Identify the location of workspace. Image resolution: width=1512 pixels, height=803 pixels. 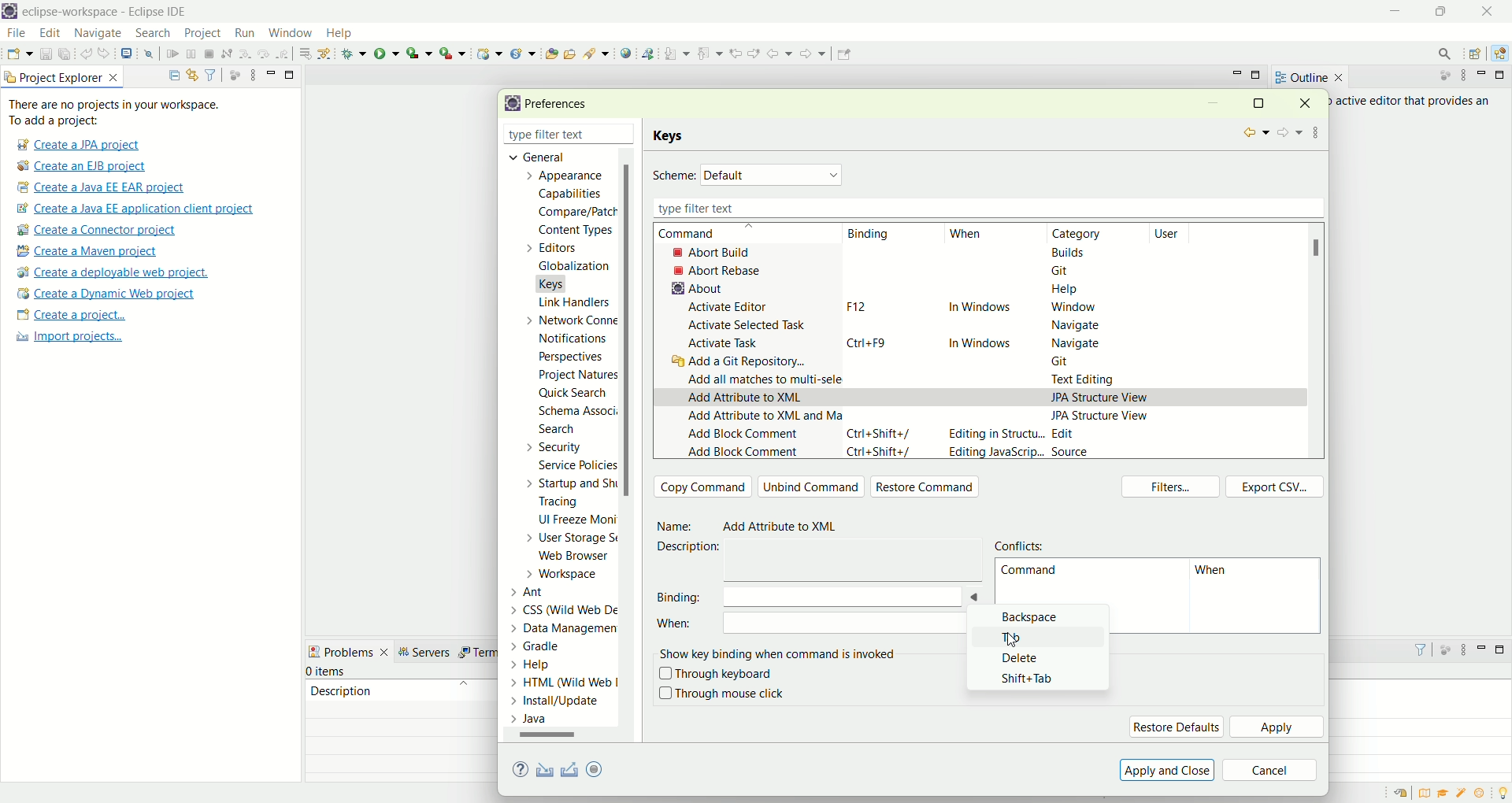
(566, 574).